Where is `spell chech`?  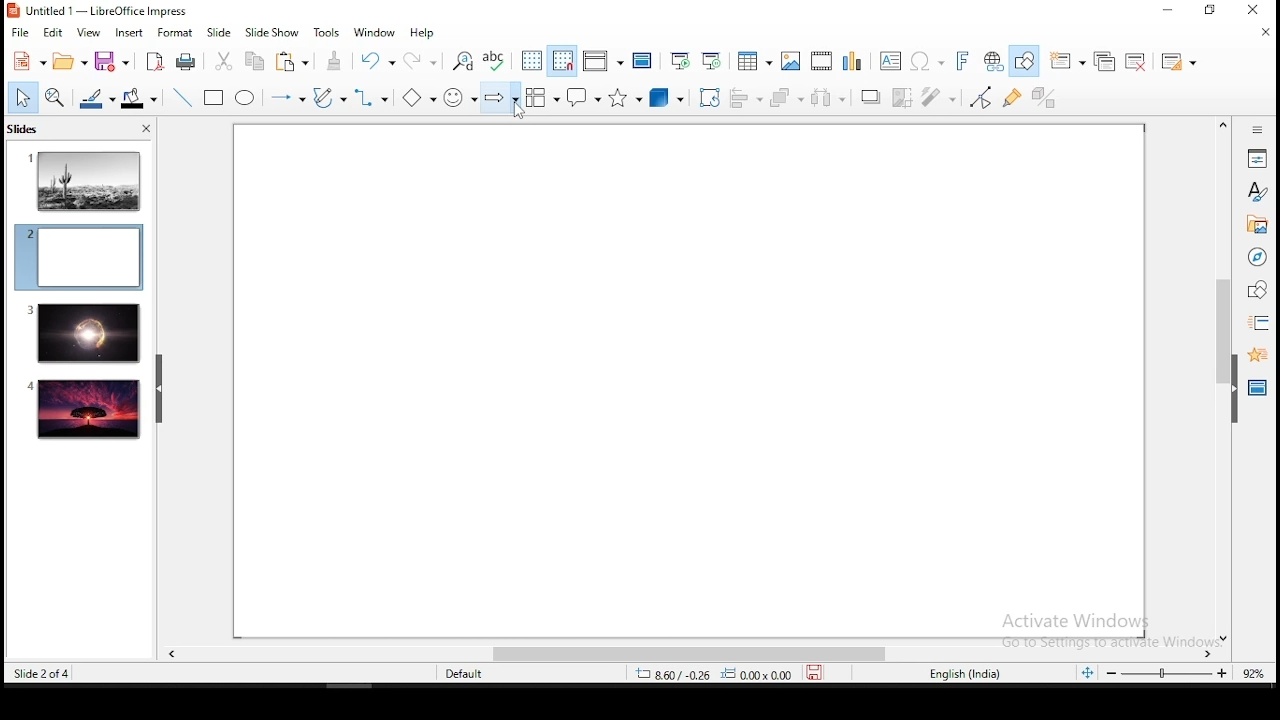
spell chech is located at coordinates (492, 59).